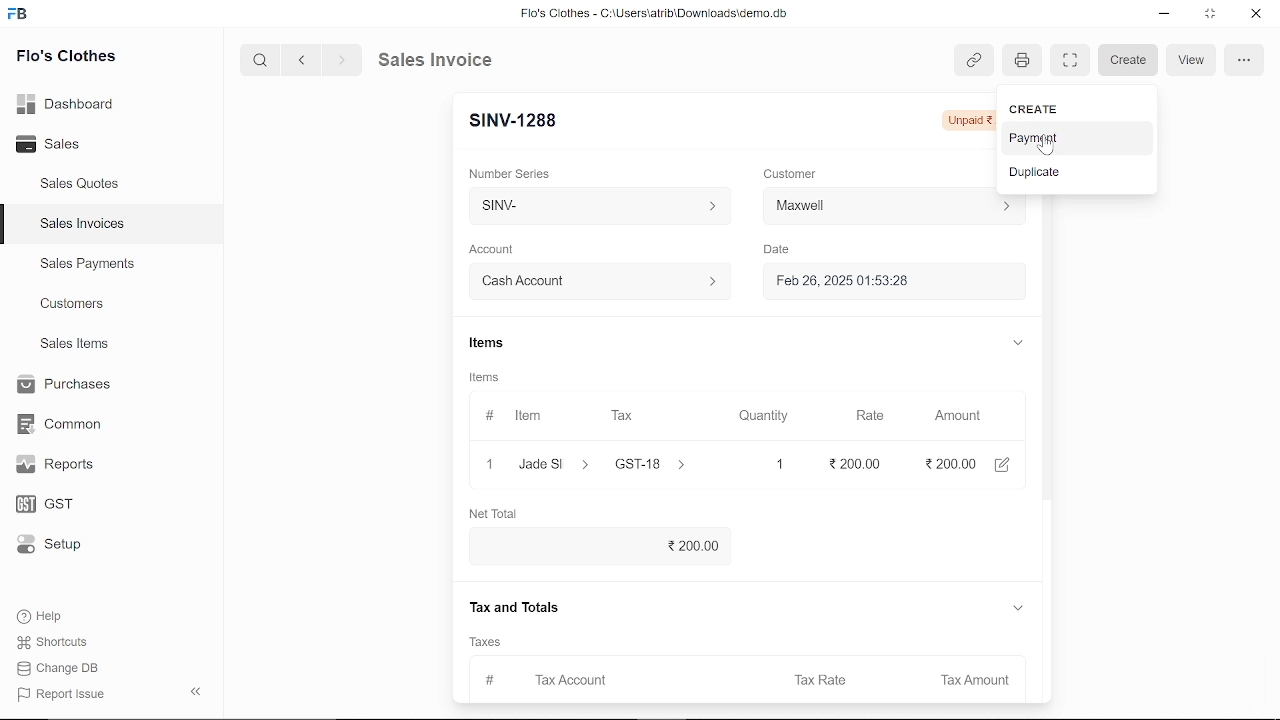  What do you see at coordinates (86, 264) in the screenshot?
I see `Sales Payments.` at bounding box center [86, 264].